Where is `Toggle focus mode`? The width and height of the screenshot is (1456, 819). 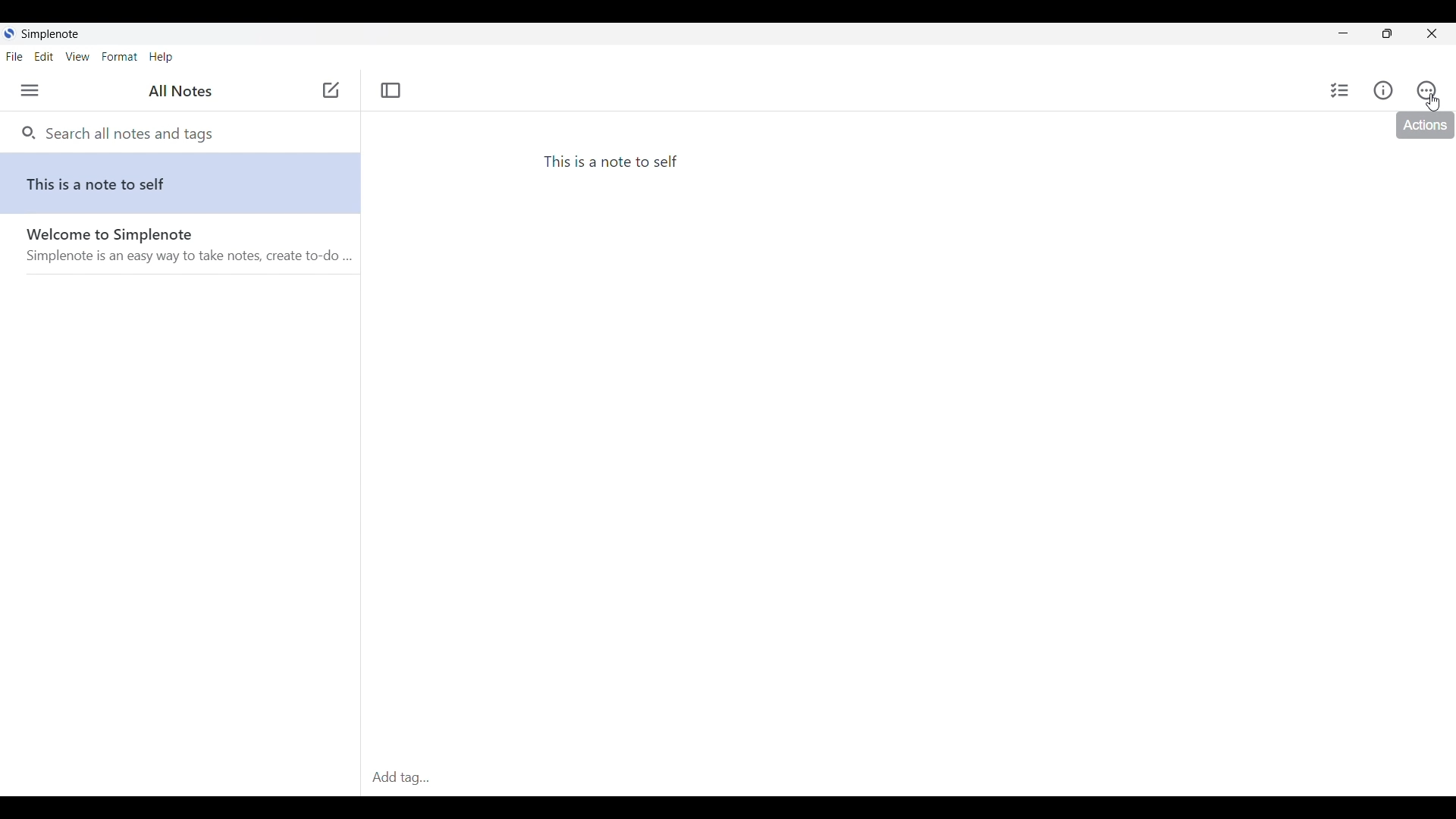 Toggle focus mode is located at coordinates (391, 89).